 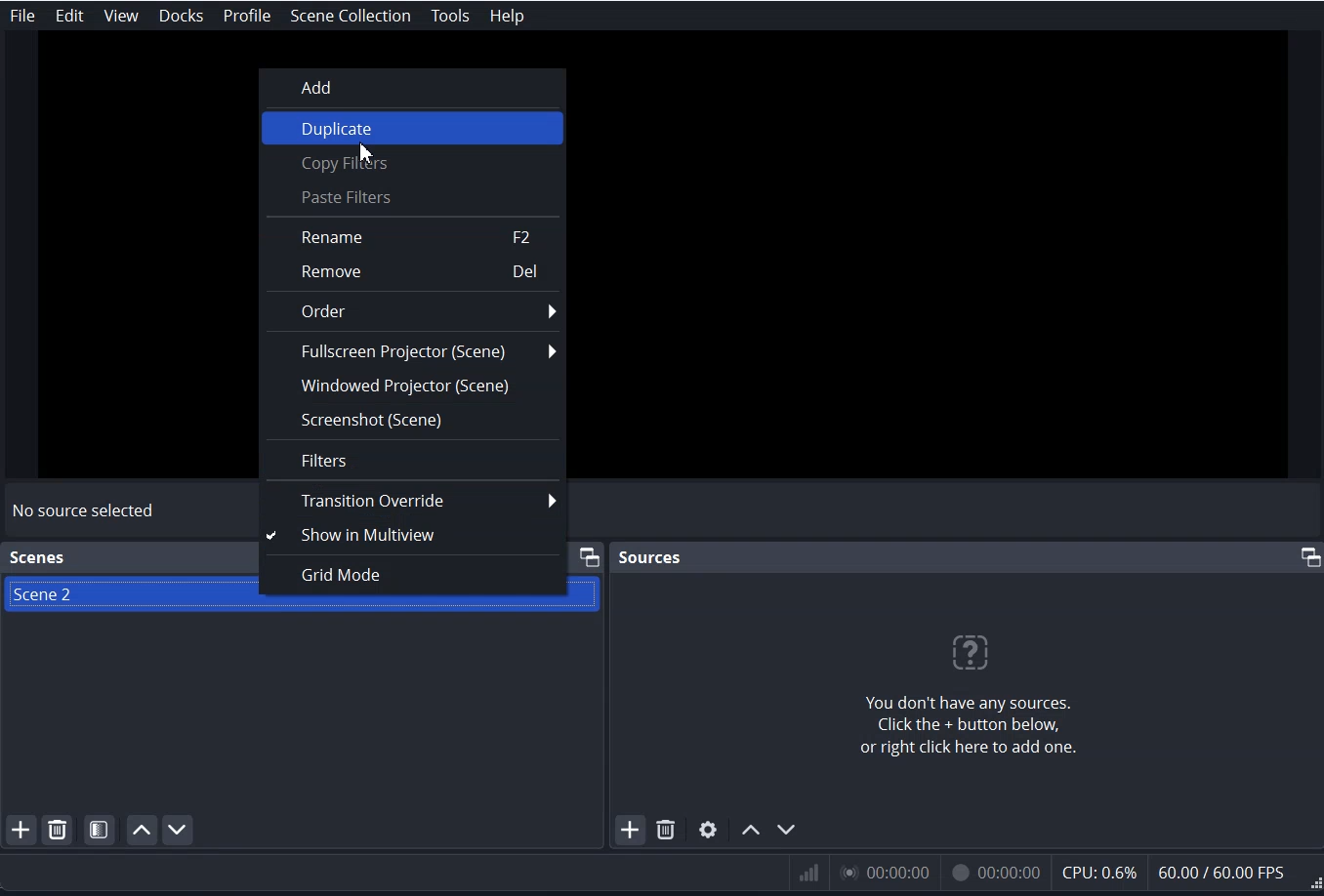 I want to click on Profile, so click(x=248, y=17).